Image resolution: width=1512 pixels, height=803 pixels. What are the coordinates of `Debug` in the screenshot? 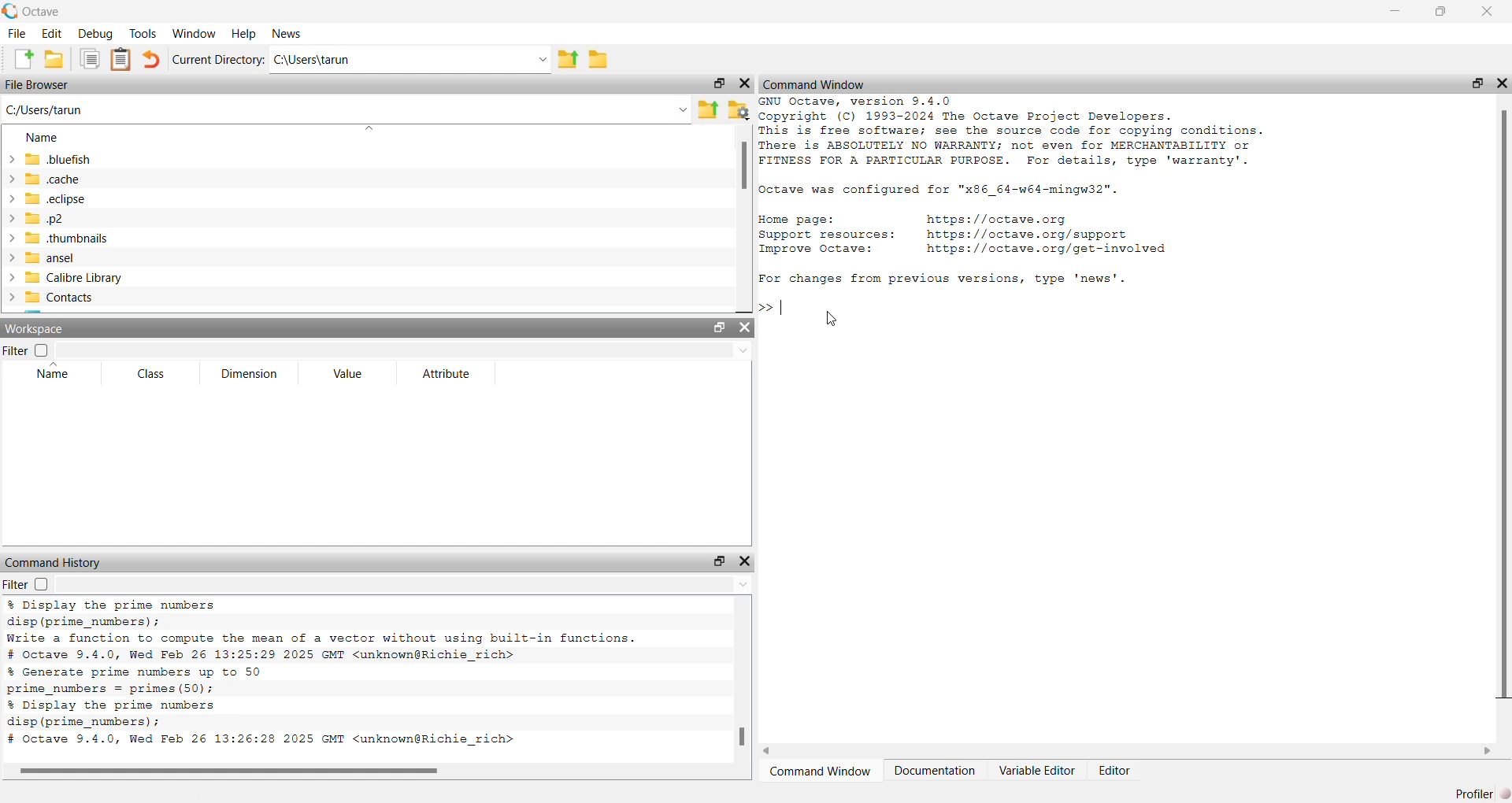 It's located at (96, 34).